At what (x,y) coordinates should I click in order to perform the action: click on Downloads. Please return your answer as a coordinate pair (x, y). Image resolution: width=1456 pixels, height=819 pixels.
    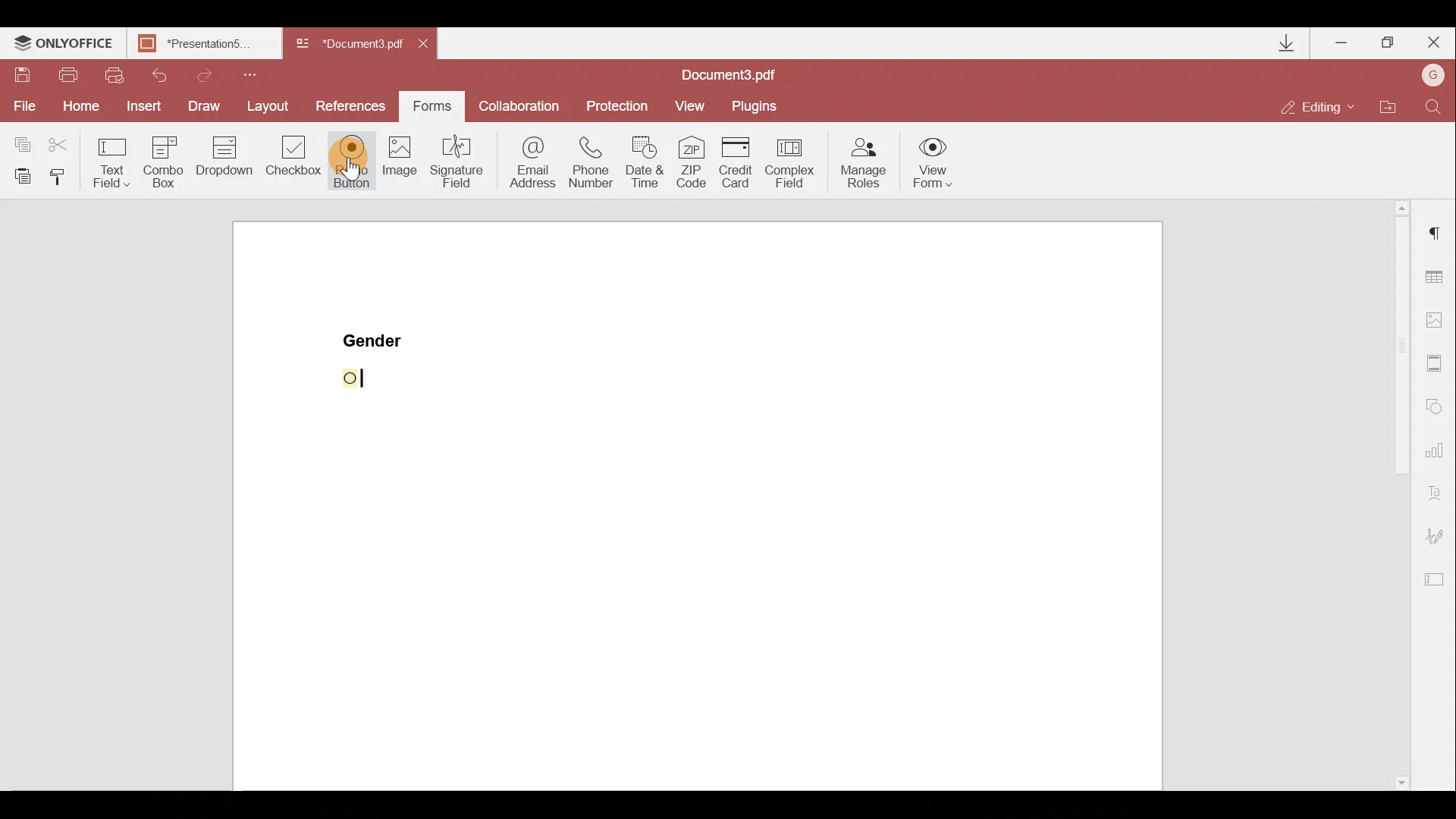
    Looking at the image, I should click on (1278, 41).